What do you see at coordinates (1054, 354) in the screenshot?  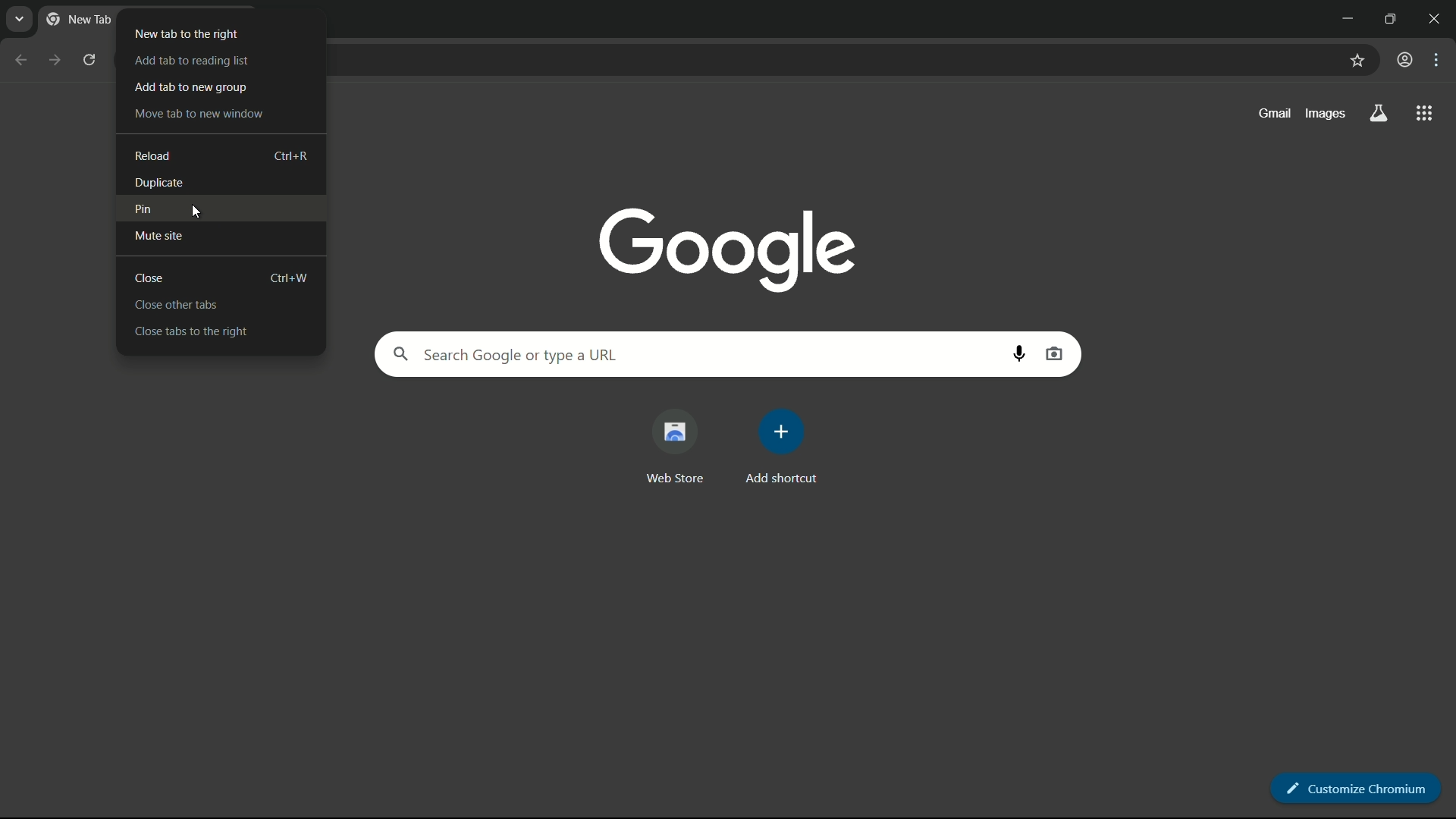 I see `search by image` at bounding box center [1054, 354].